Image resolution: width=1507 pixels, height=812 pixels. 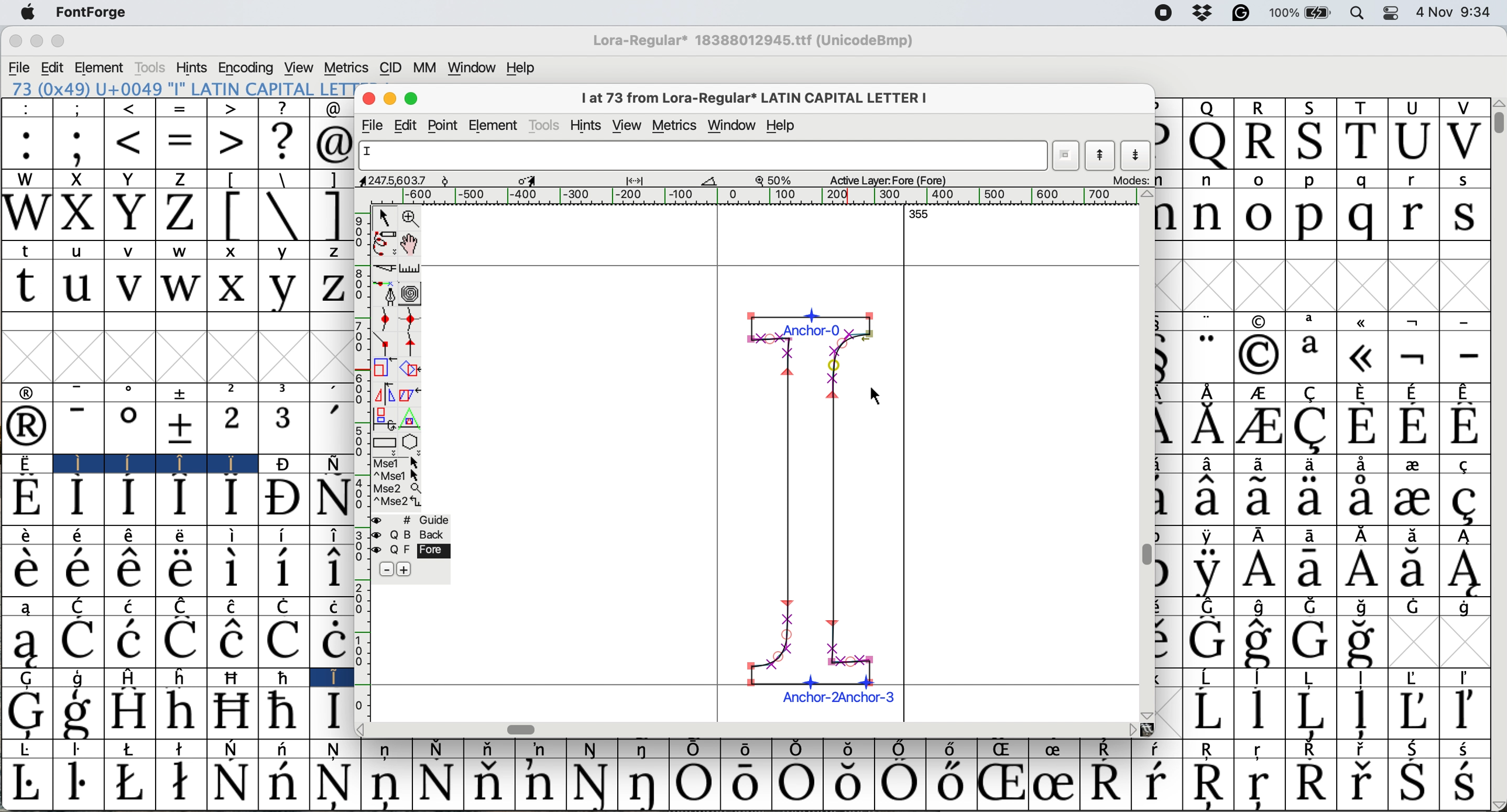 I want to click on draw freehand curve, so click(x=383, y=242).